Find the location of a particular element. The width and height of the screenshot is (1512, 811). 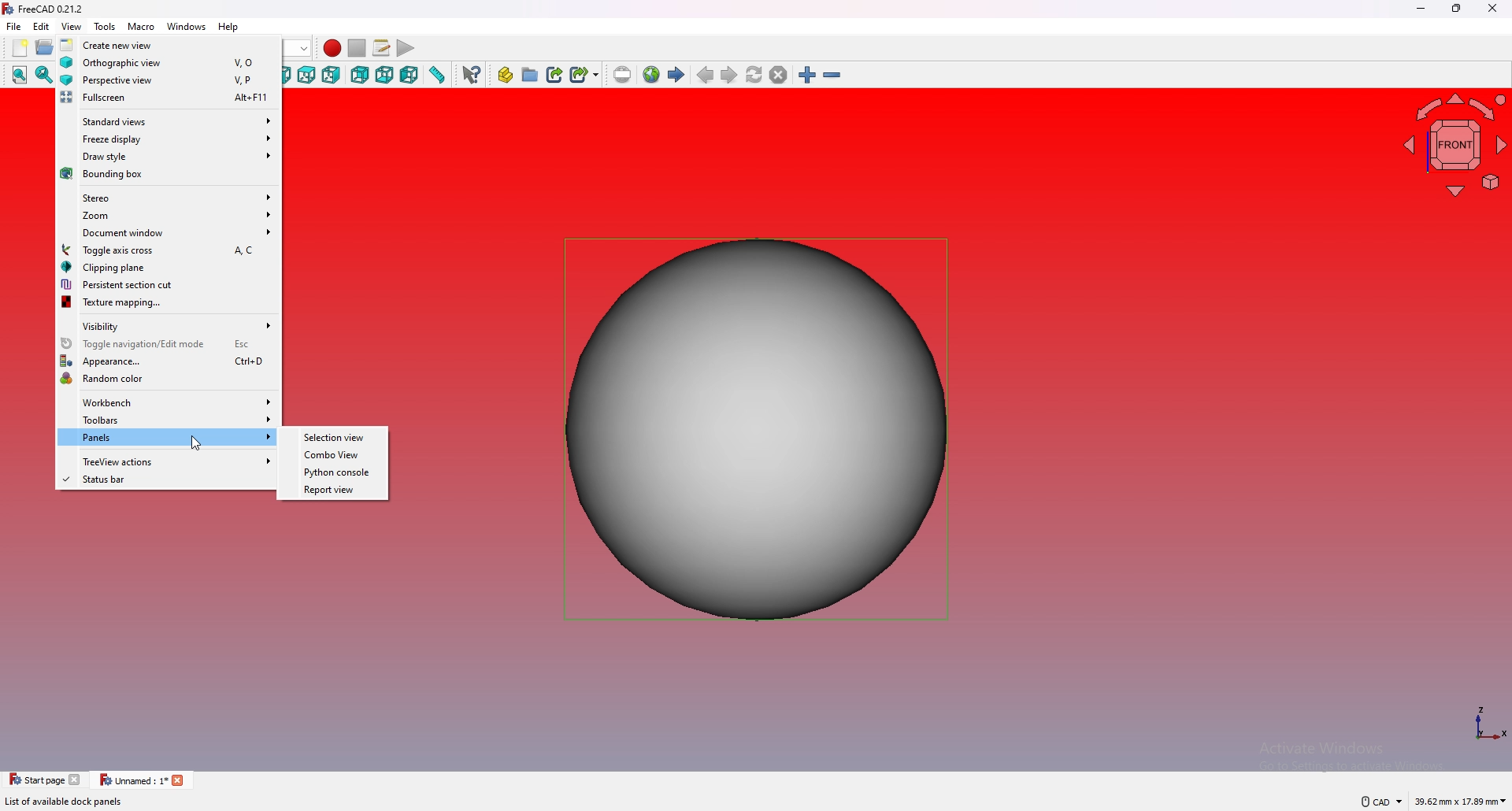

macros is located at coordinates (381, 48).